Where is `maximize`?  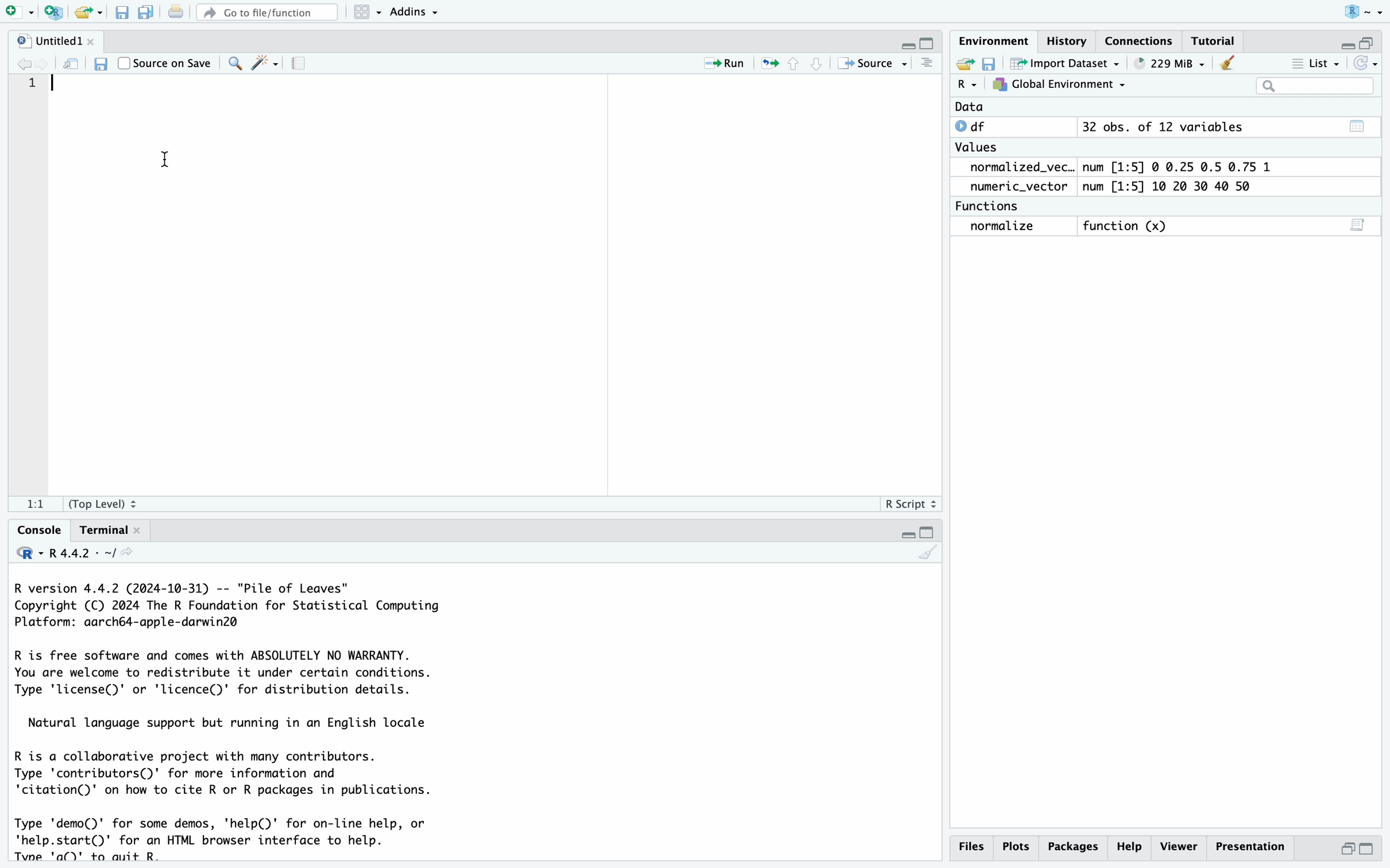 maximize is located at coordinates (1368, 43).